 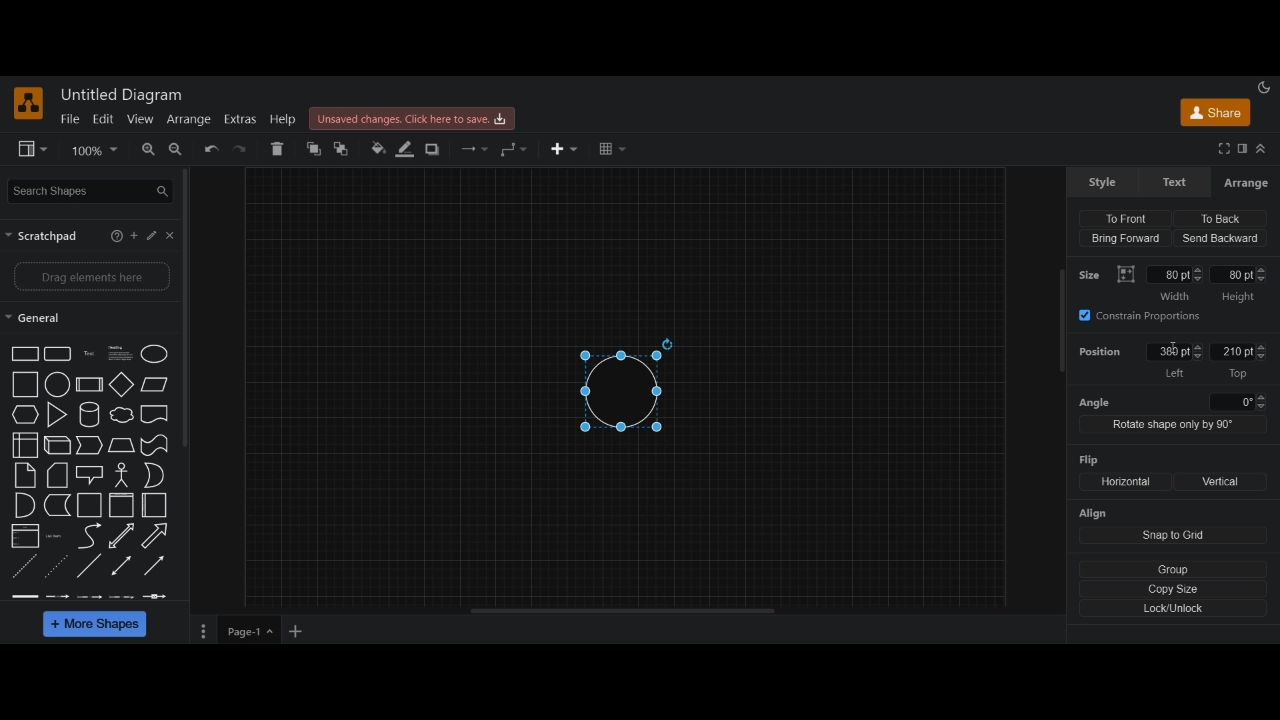 What do you see at coordinates (44, 236) in the screenshot?
I see `scratchpad` at bounding box center [44, 236].